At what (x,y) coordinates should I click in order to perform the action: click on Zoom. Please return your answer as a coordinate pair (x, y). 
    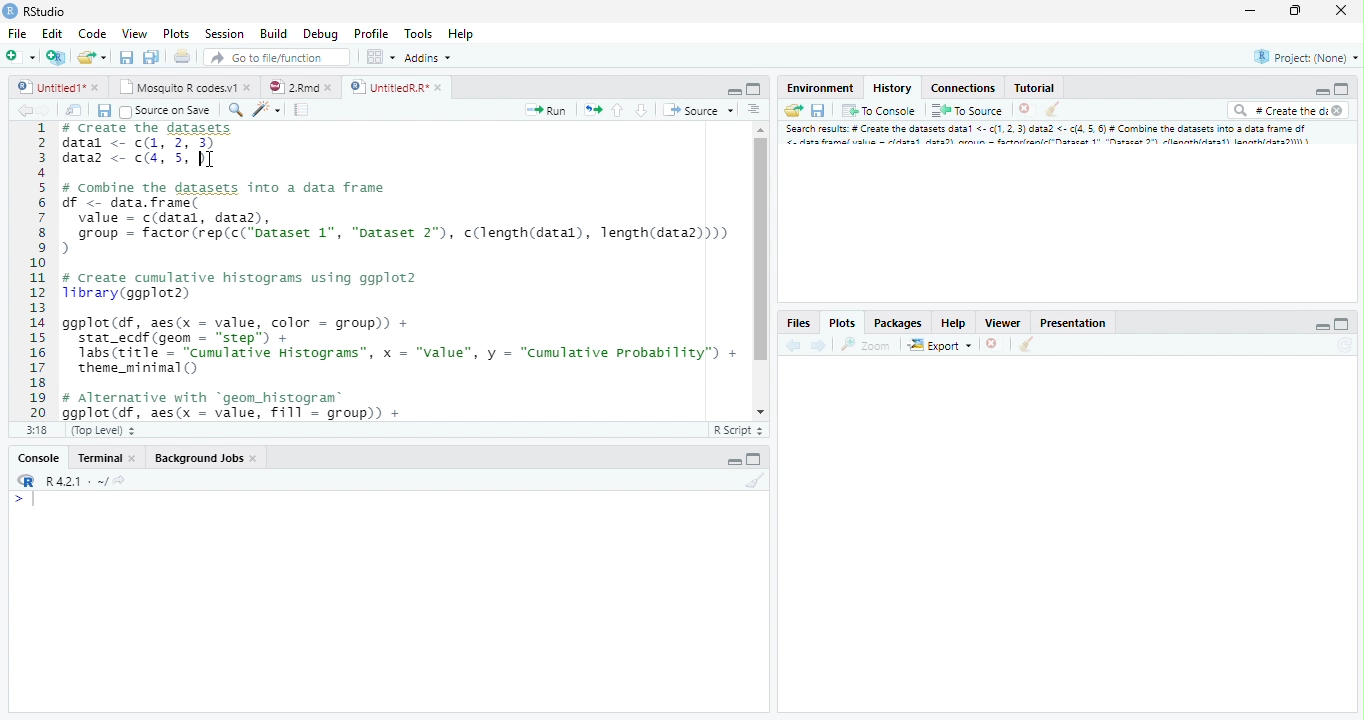
    Looking at the image, I should click on (864, 346).